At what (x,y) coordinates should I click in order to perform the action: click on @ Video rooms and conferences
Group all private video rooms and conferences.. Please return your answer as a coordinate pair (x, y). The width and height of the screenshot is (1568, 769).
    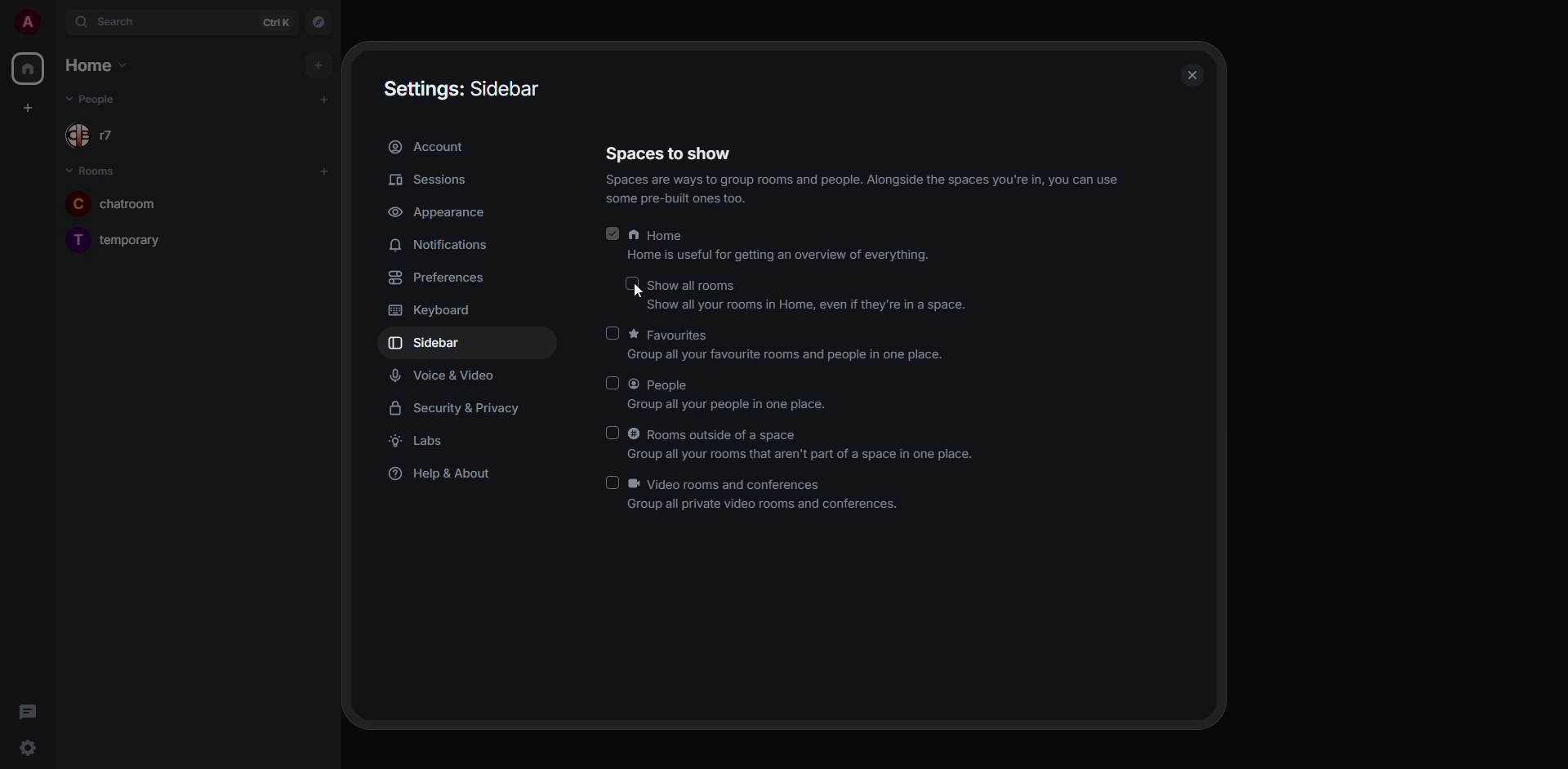
    Looking at the image, I should click on (771, 496).